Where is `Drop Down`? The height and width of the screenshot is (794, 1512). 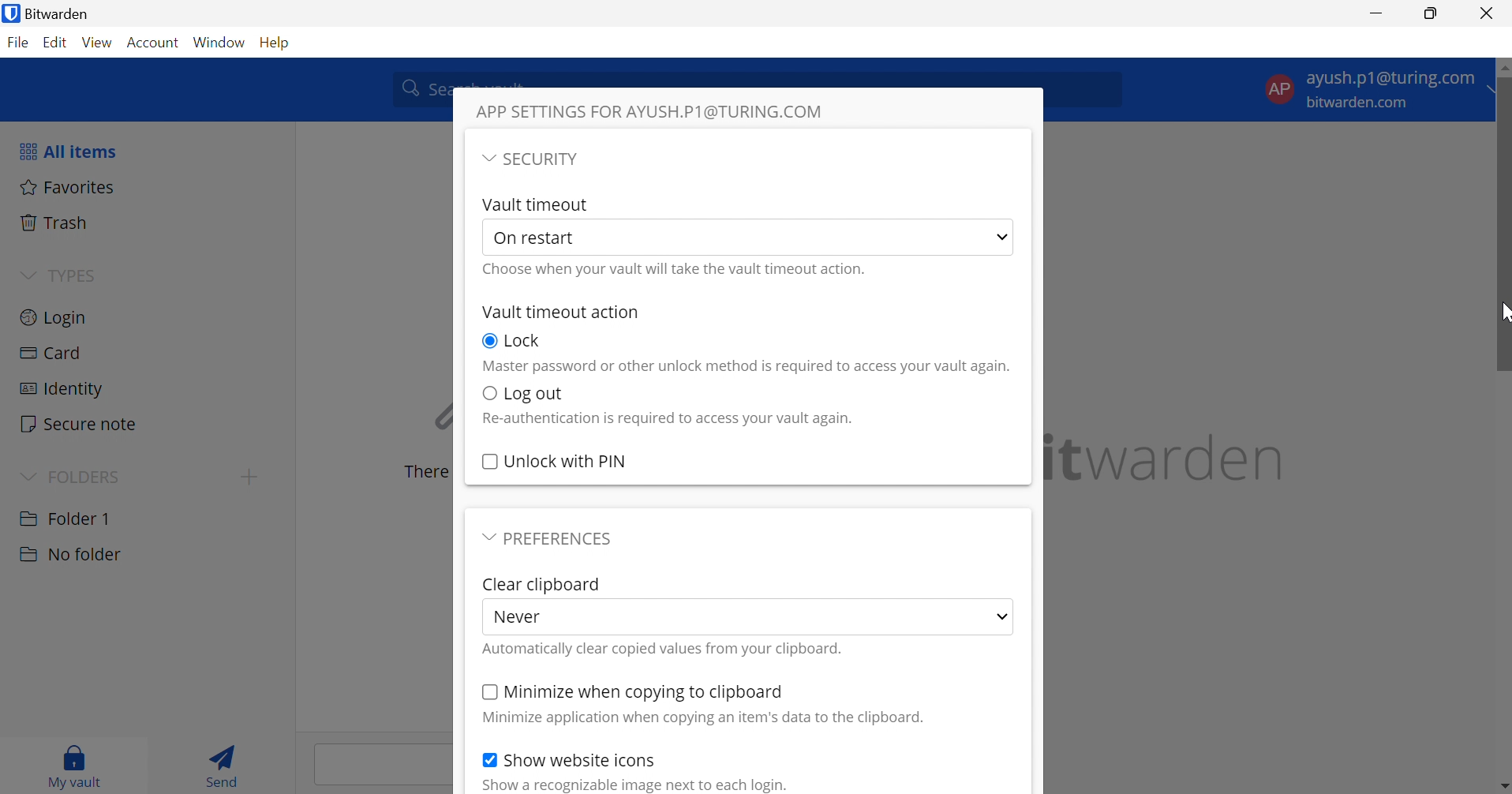 Drop Down is located at coordinates (1005, 235).